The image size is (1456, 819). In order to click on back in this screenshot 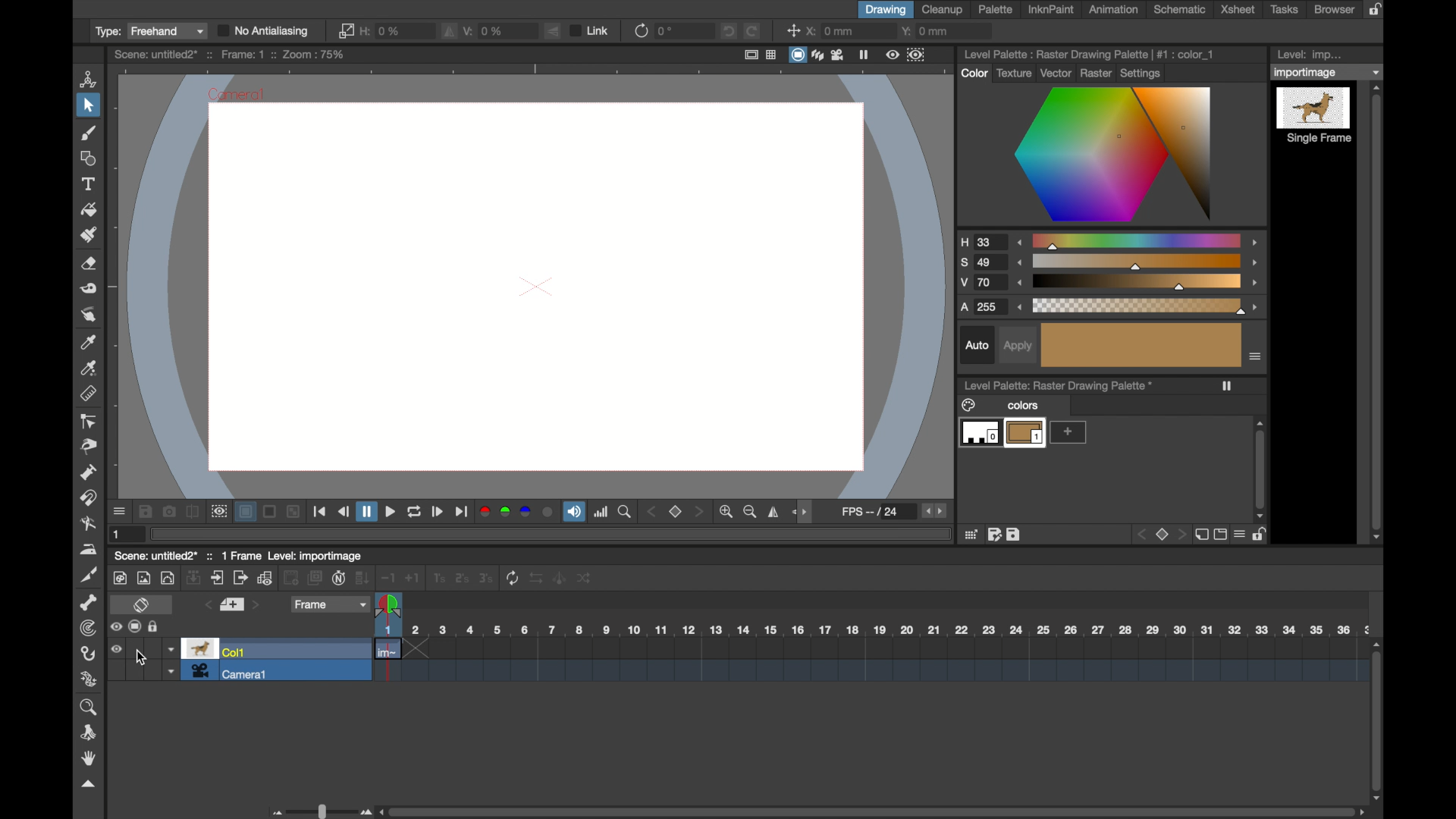, I will do `click(291, 579)`.